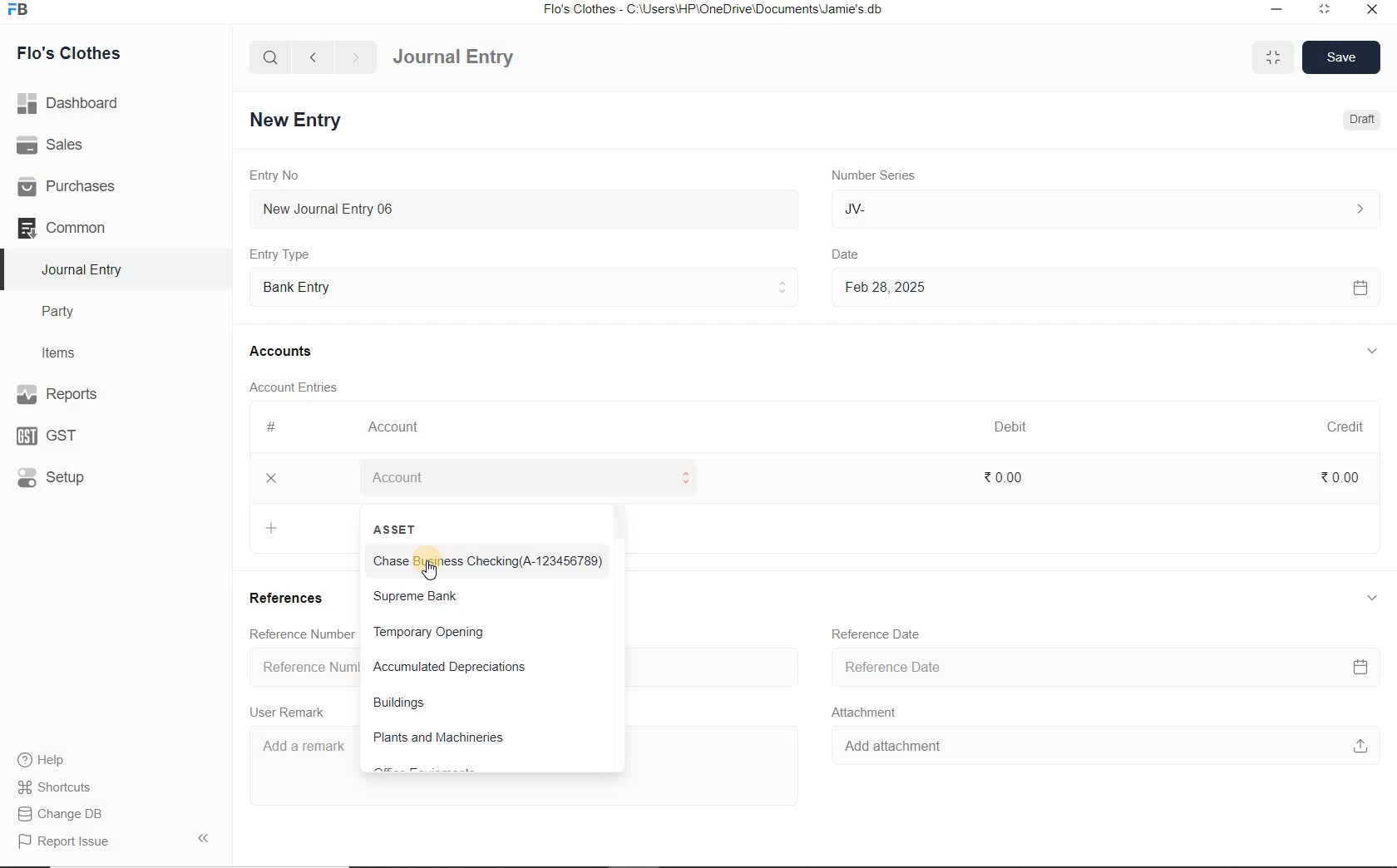  I want to click on Change DB, so click(62, 812).